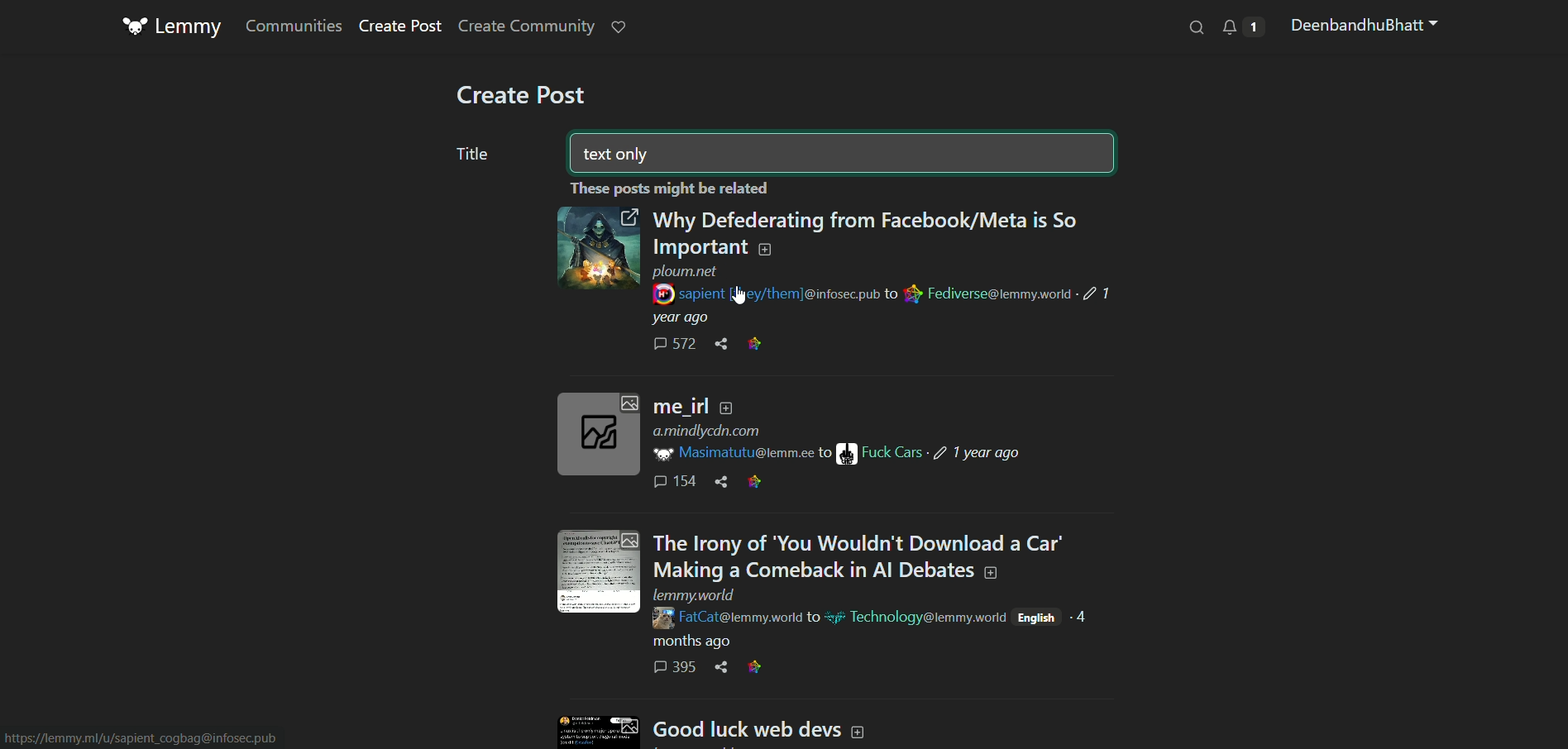 The width and height of the screenshot is (1568, 749). What do you see at coordinates (599, 571) in the screenshot?
I see `Click to expand image` at bounding box center [599, 571].